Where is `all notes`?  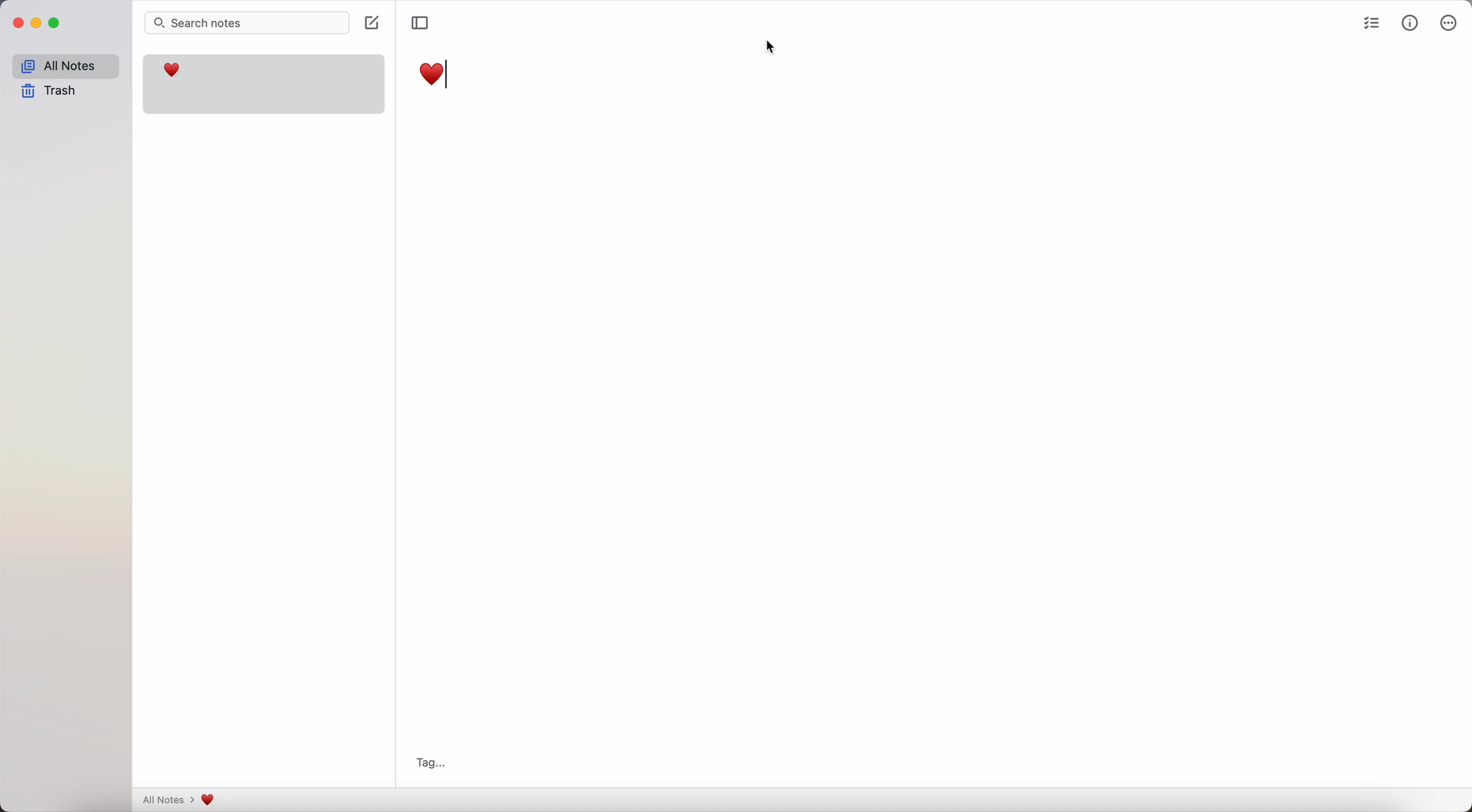 all notes is located at coordinates (63, 65).